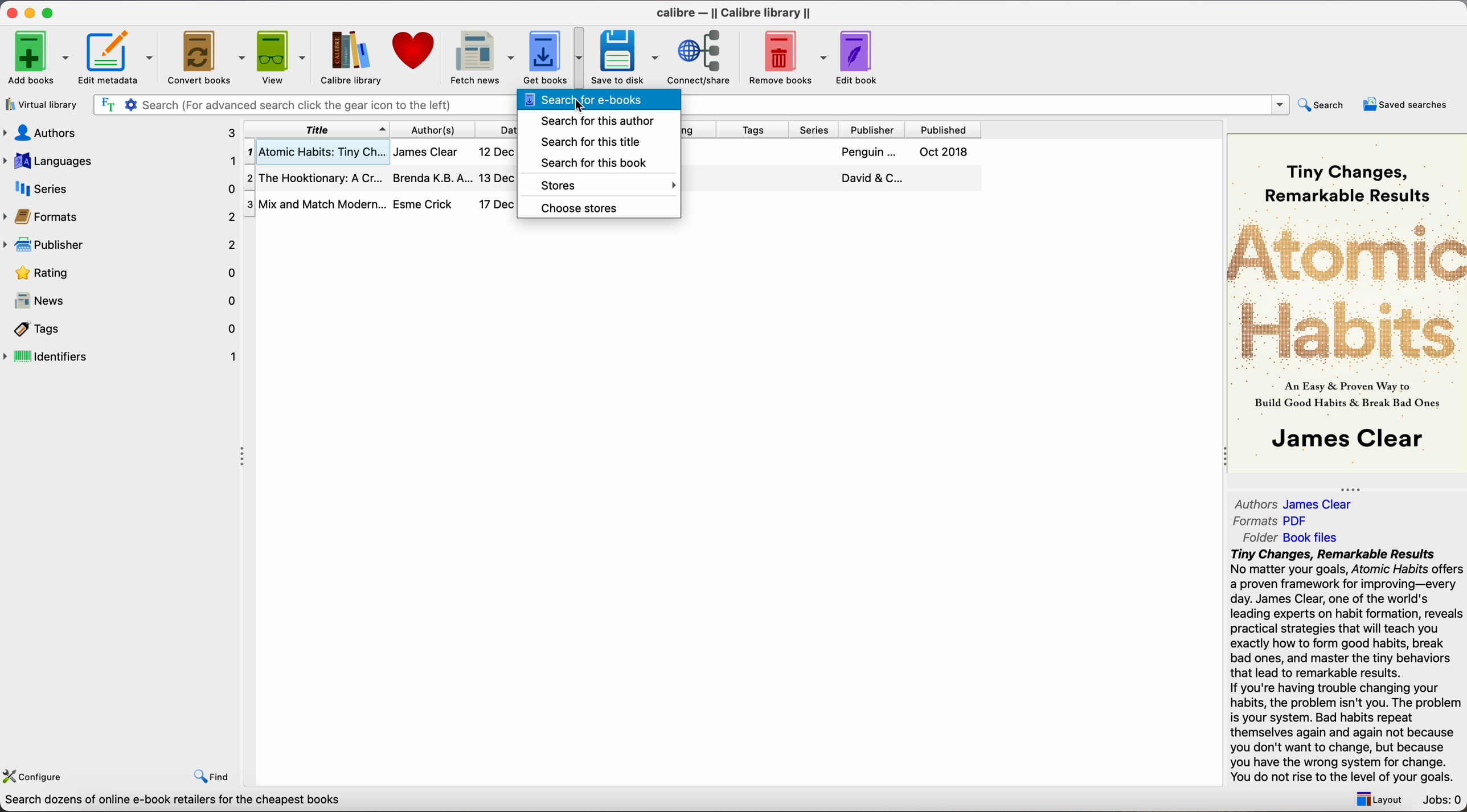 The image size is (1467, 812). I want to click on languages, so click(119, 160).